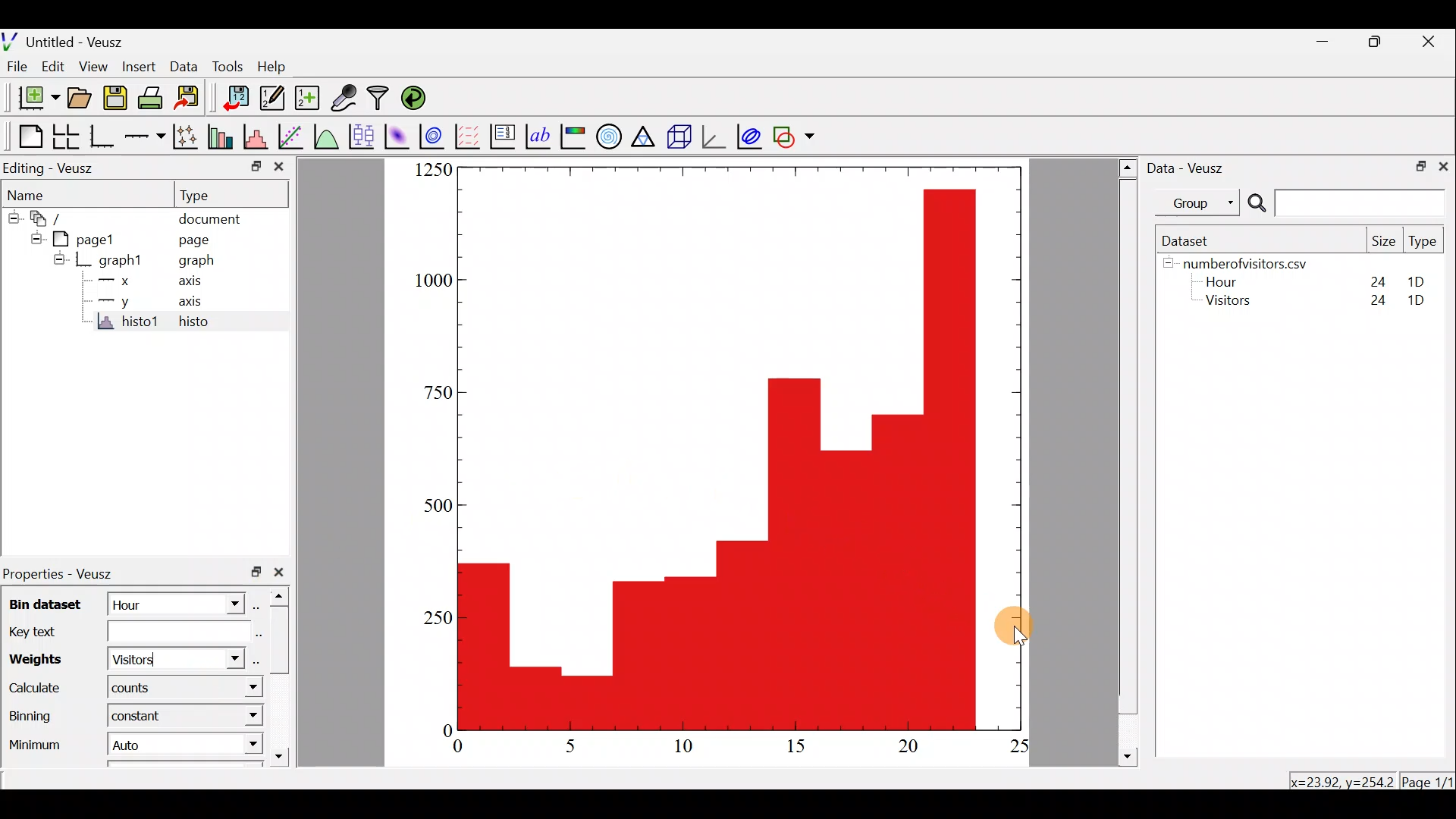 This screenshot has height=819, width=1456. I want to click on Export to graphics format, so click(193, 99).